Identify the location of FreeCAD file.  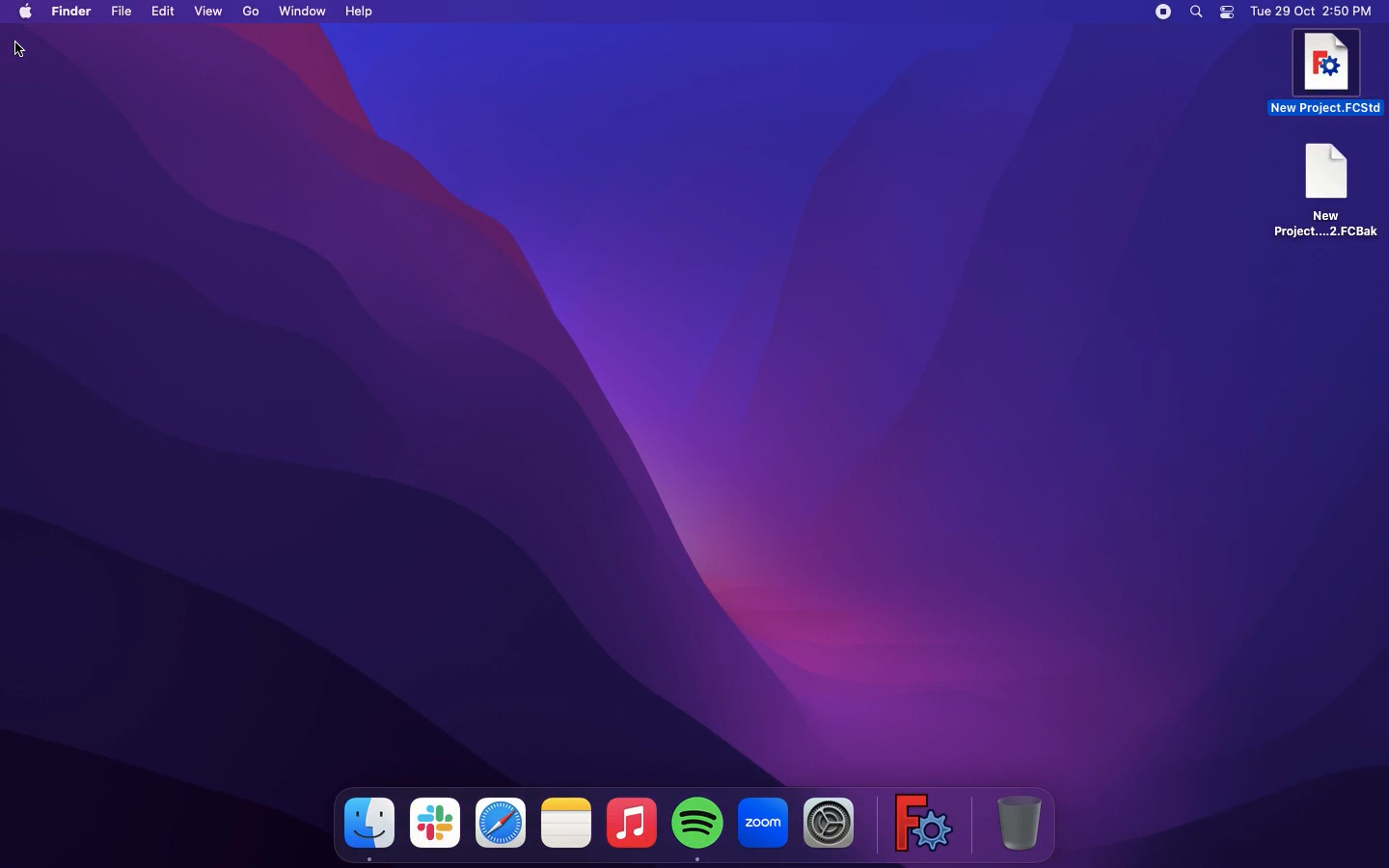
(1323, 190).